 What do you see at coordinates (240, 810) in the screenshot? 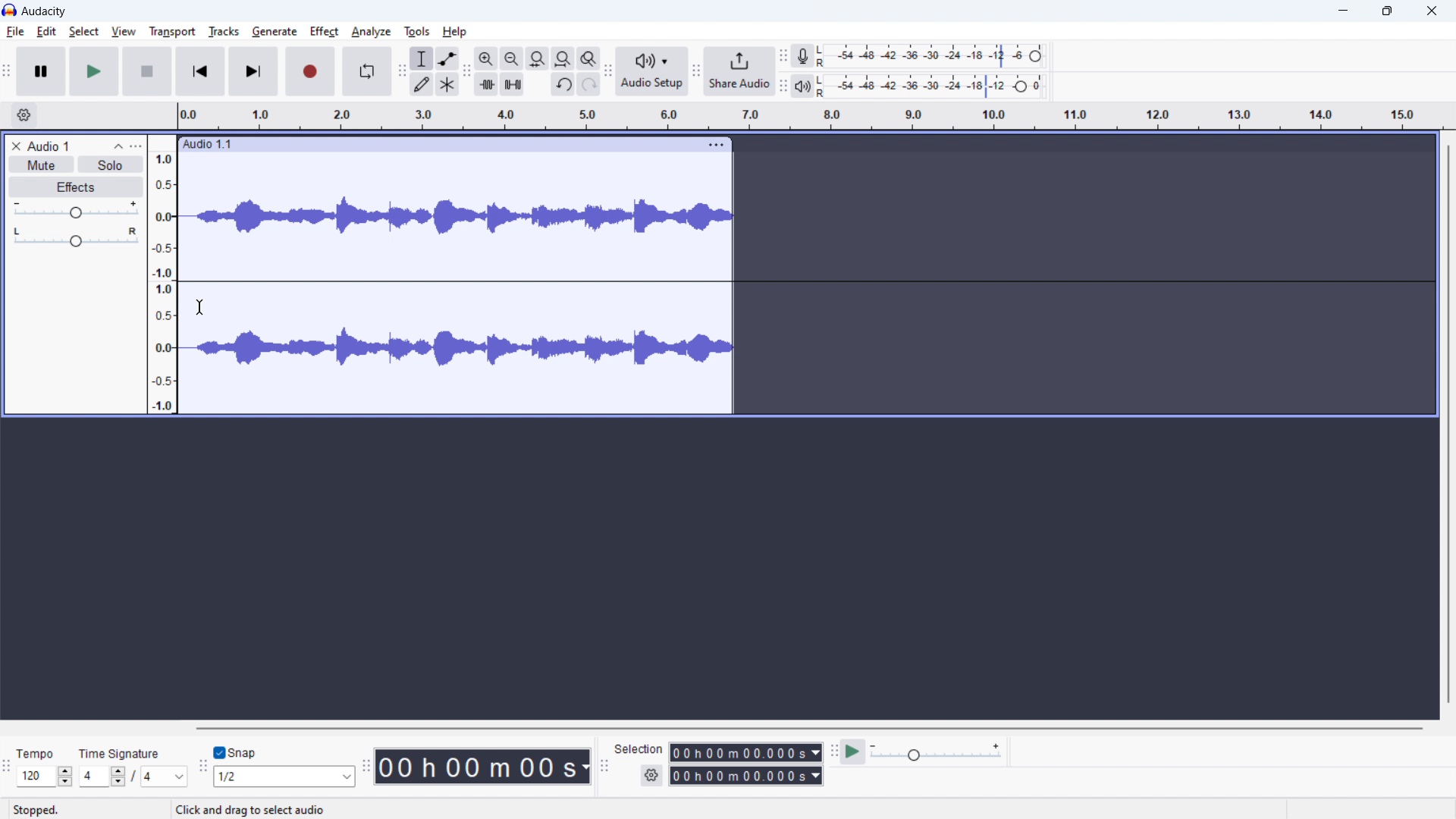
I see `open menu.. (Shift+M)` at bounding box center [240, 810].